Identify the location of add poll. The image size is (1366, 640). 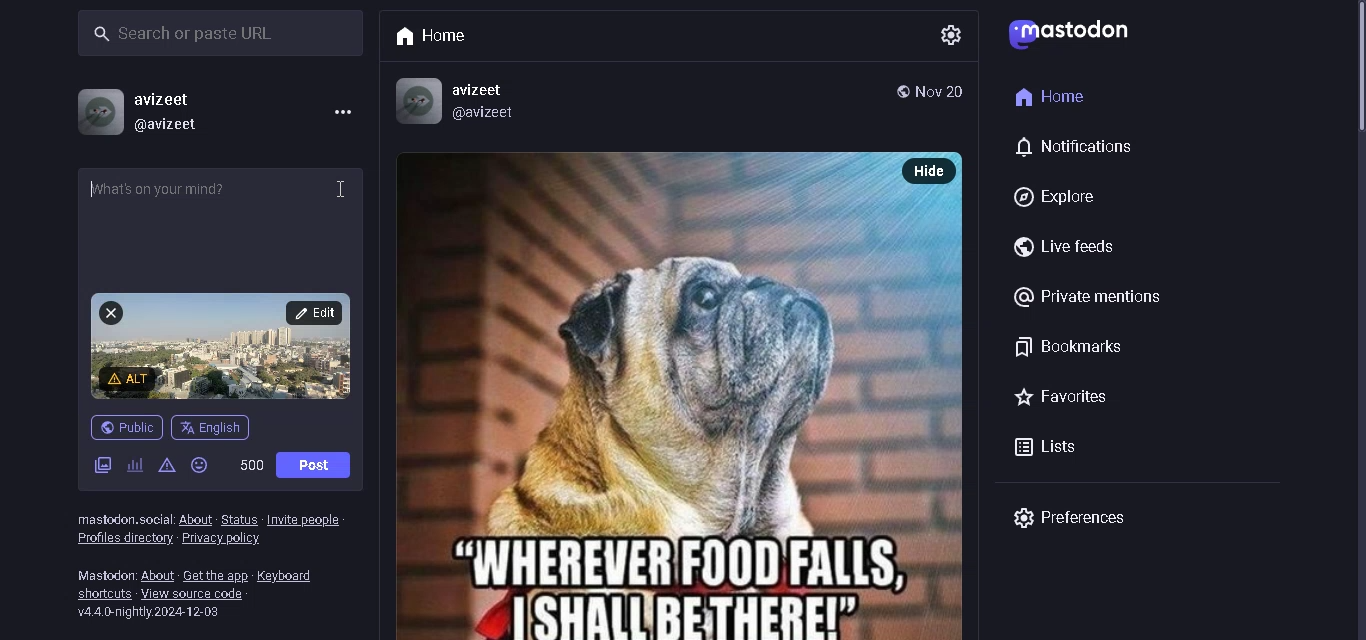
(135, 467).